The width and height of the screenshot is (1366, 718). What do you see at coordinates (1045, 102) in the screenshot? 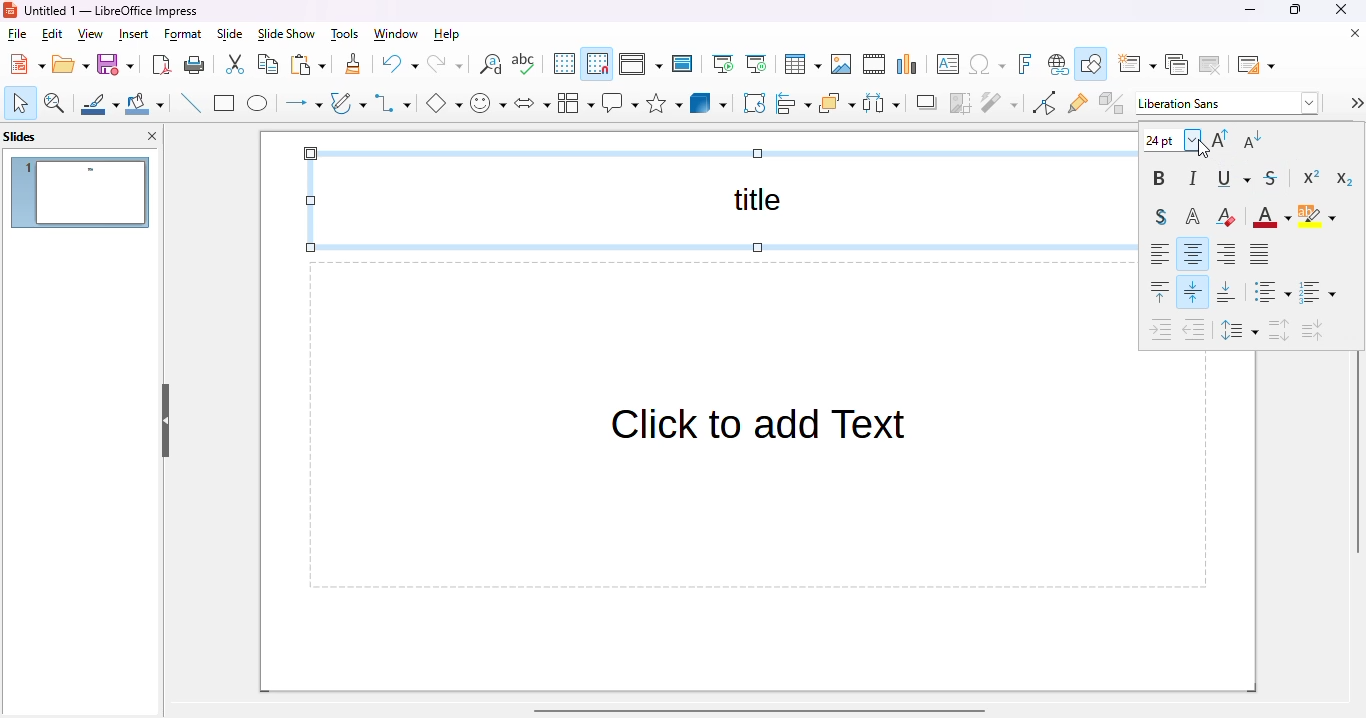
I see `toggle point edit mode` at bounding box center [1045, 102].